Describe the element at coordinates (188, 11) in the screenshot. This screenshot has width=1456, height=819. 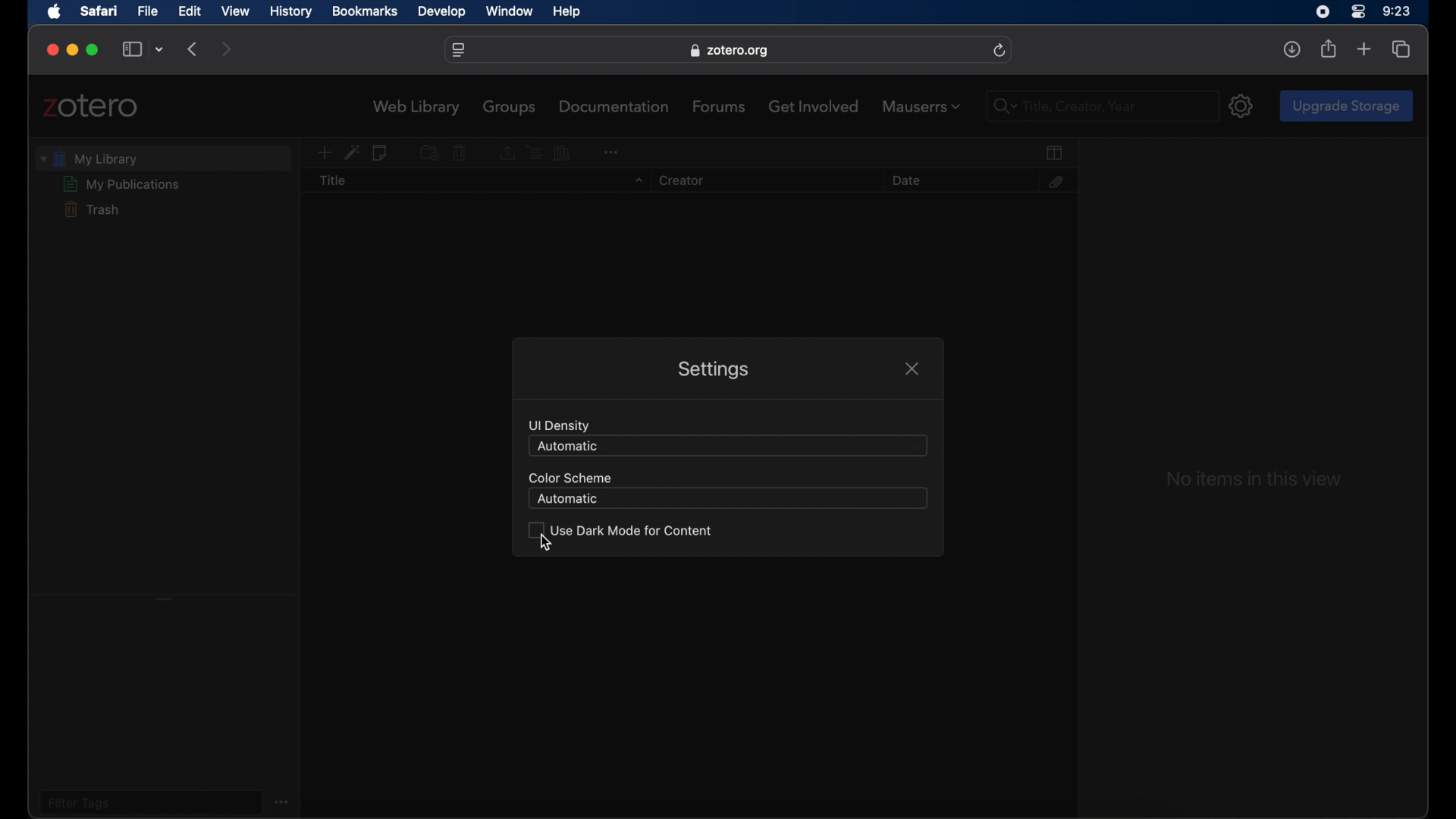
I see `edit` at that location.